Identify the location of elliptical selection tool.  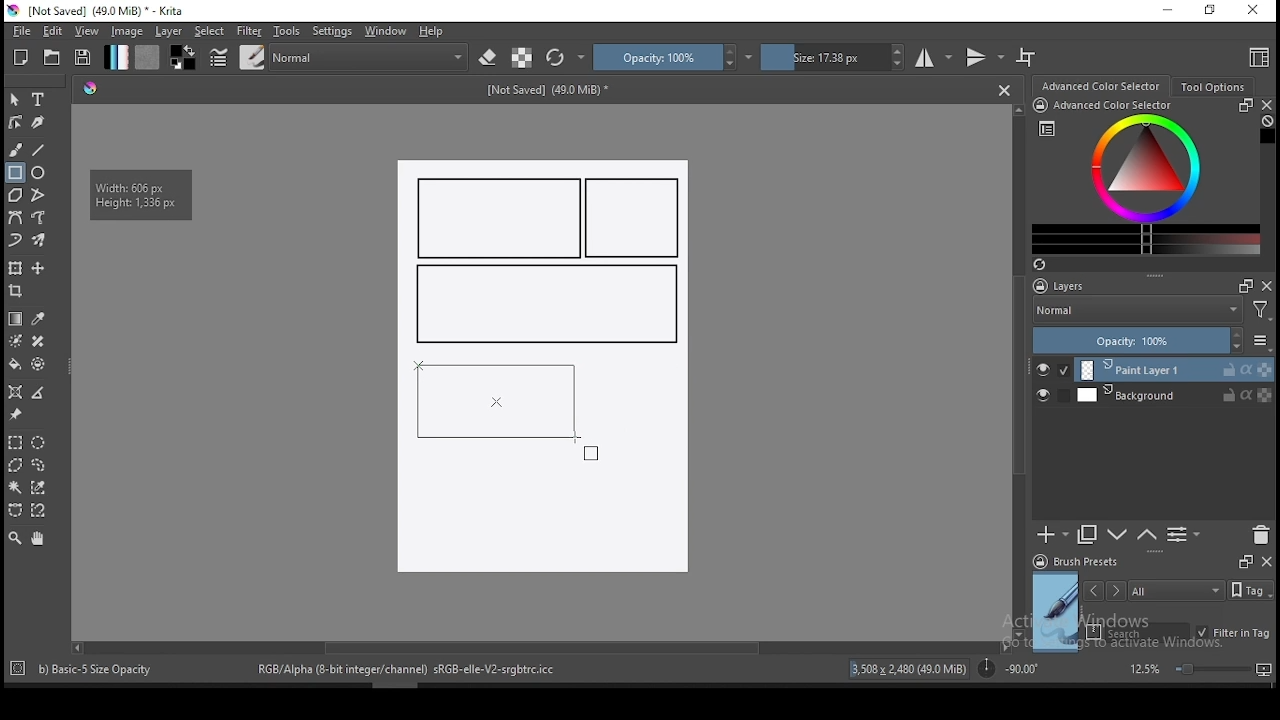
(38, 443).